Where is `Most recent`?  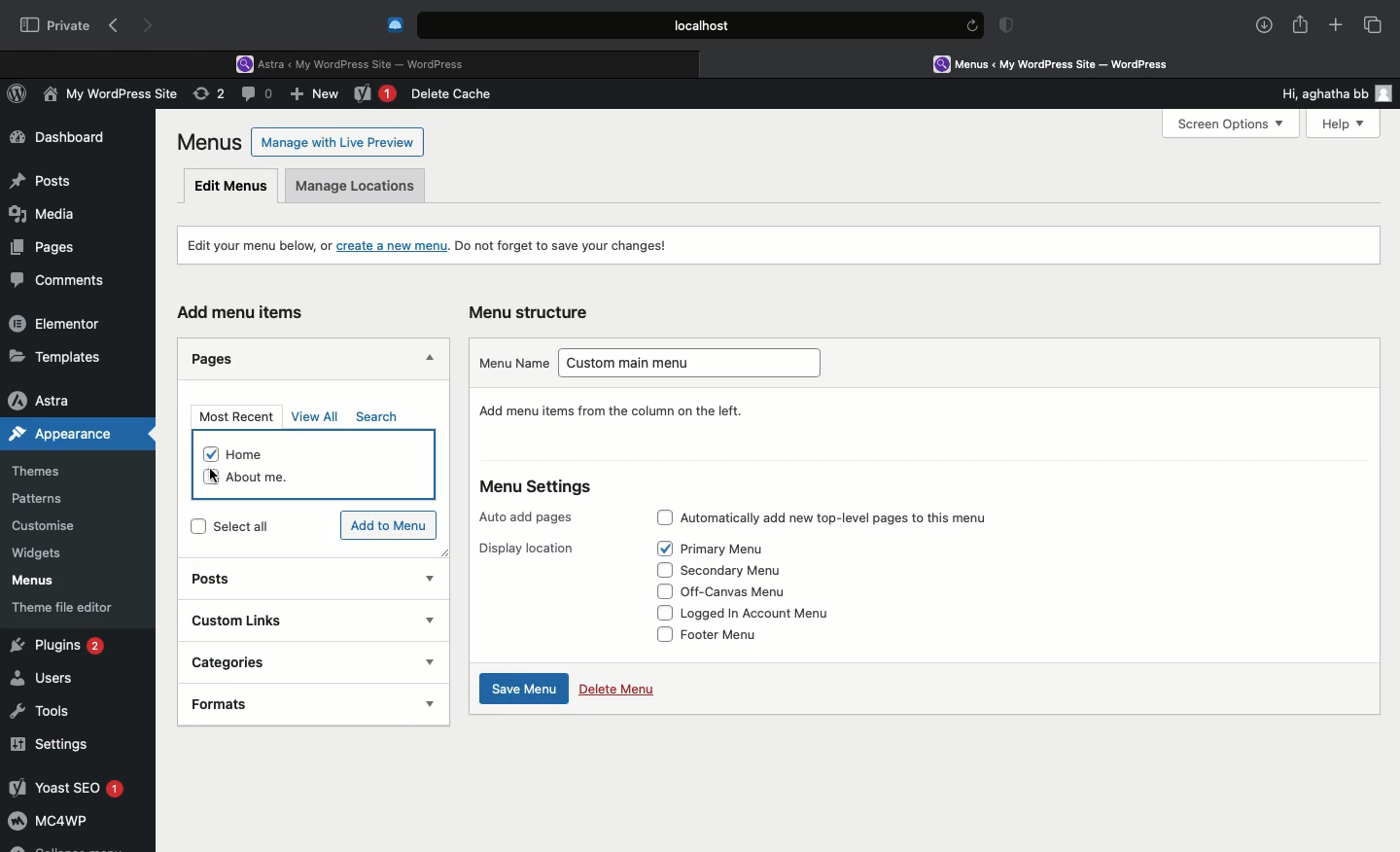 Most recent is located at coordinates (233, 416).